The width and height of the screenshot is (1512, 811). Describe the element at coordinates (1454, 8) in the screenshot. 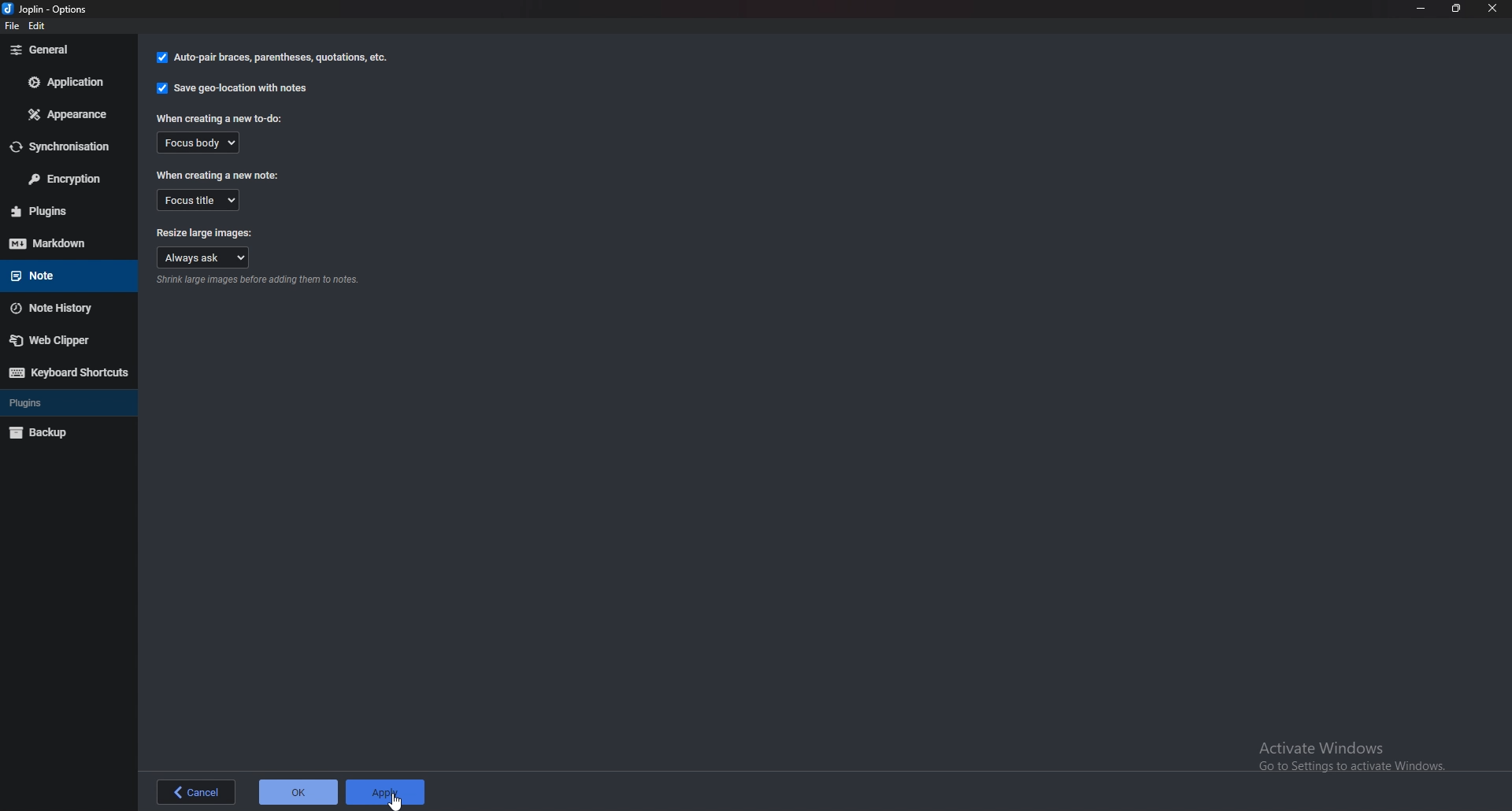

I see `Resize` at that location.